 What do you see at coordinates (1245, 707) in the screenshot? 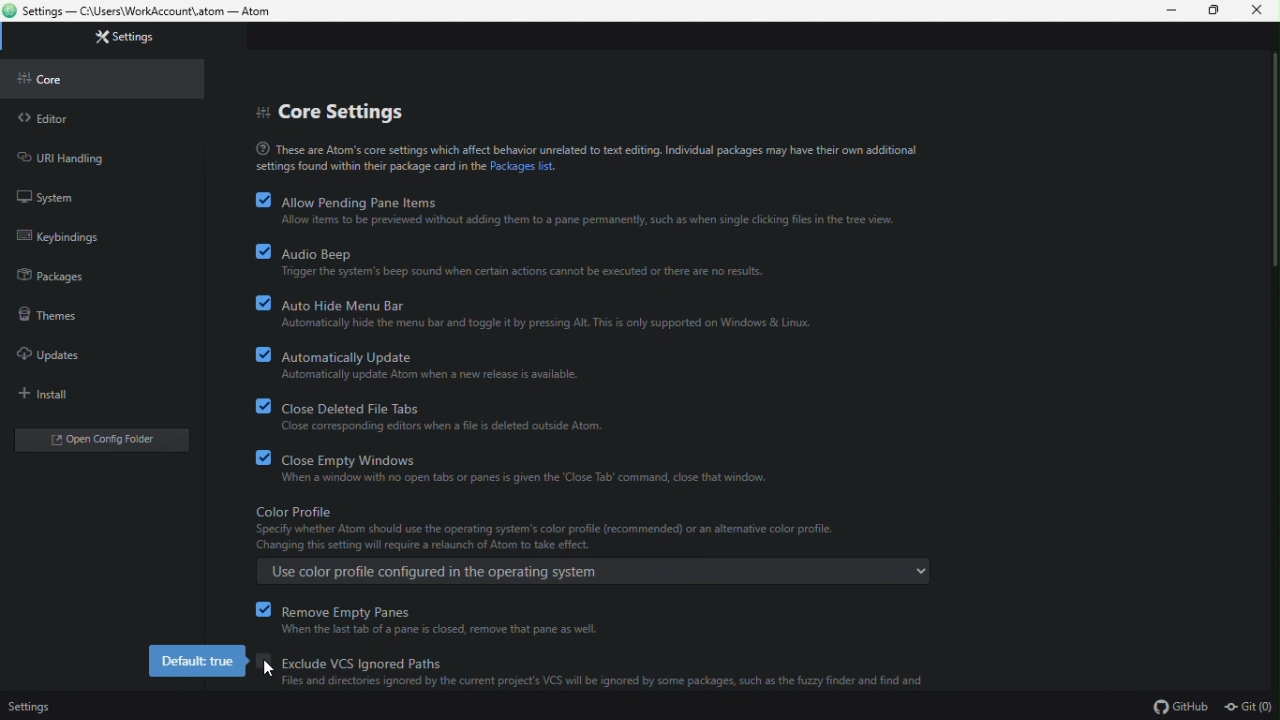
I see `Git (0)` at bounding box center [1245, 707].